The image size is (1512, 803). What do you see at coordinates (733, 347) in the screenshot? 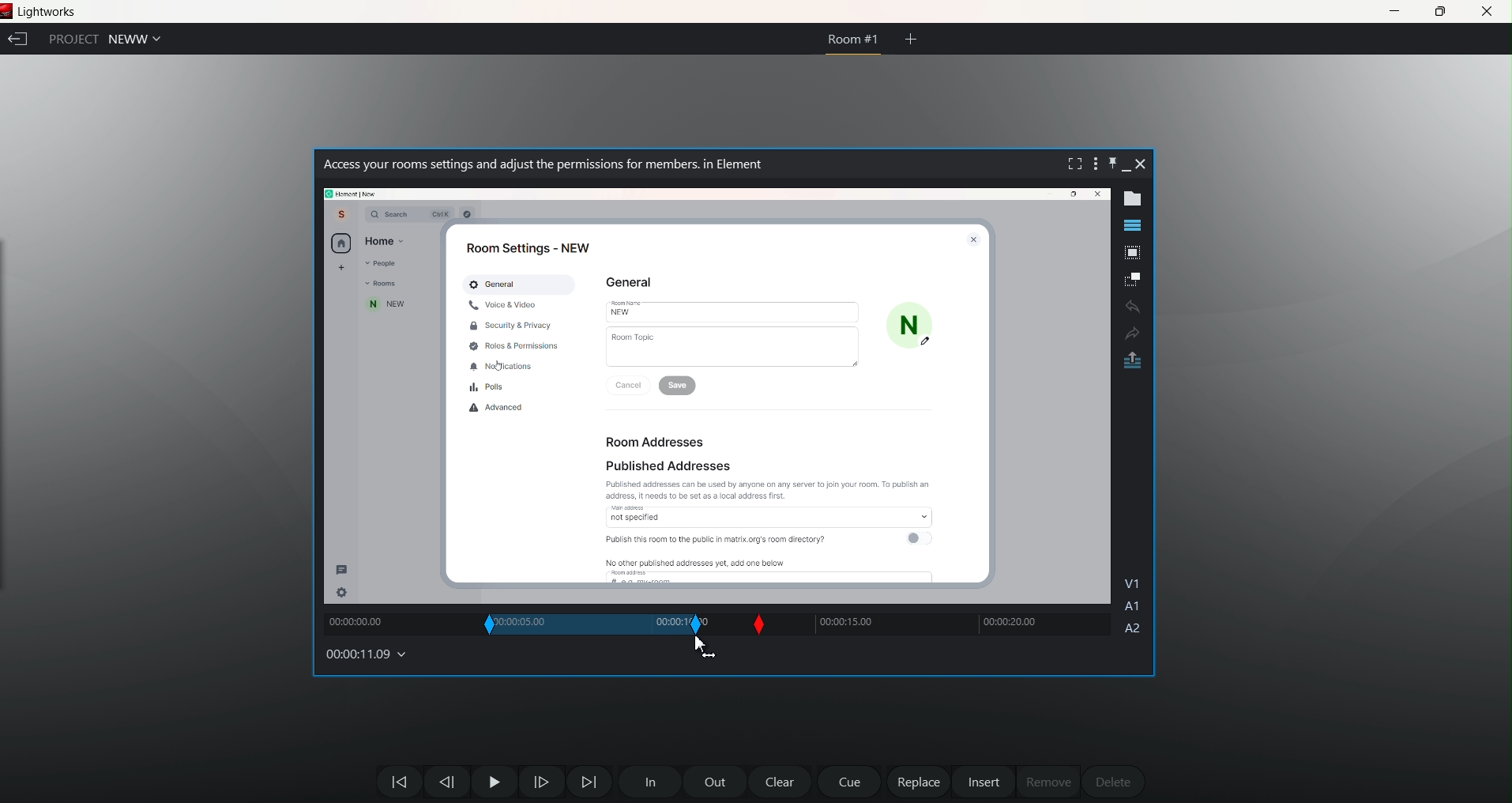
I see `Room Topic
|` at bounding box center [733, 347].